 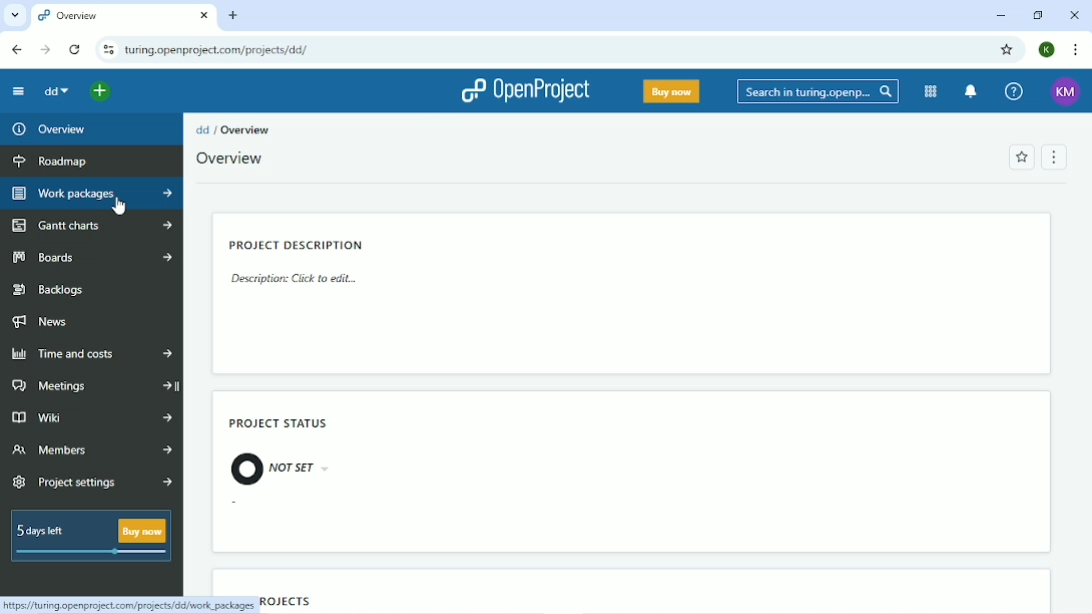 I want to click on Search in Turing.opening, so click(x=818, y=92).